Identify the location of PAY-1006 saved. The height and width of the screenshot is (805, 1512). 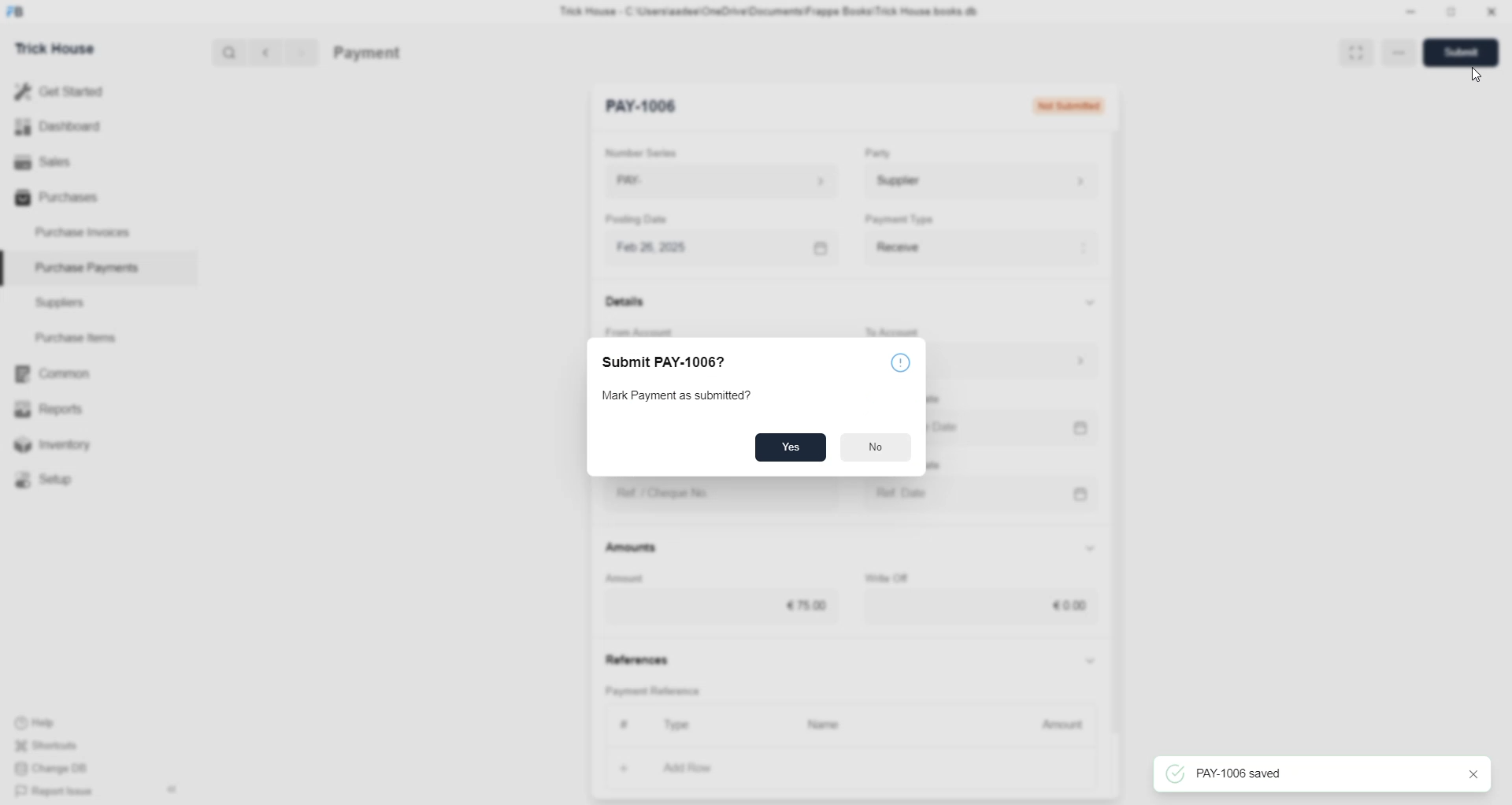
(1239, 774).